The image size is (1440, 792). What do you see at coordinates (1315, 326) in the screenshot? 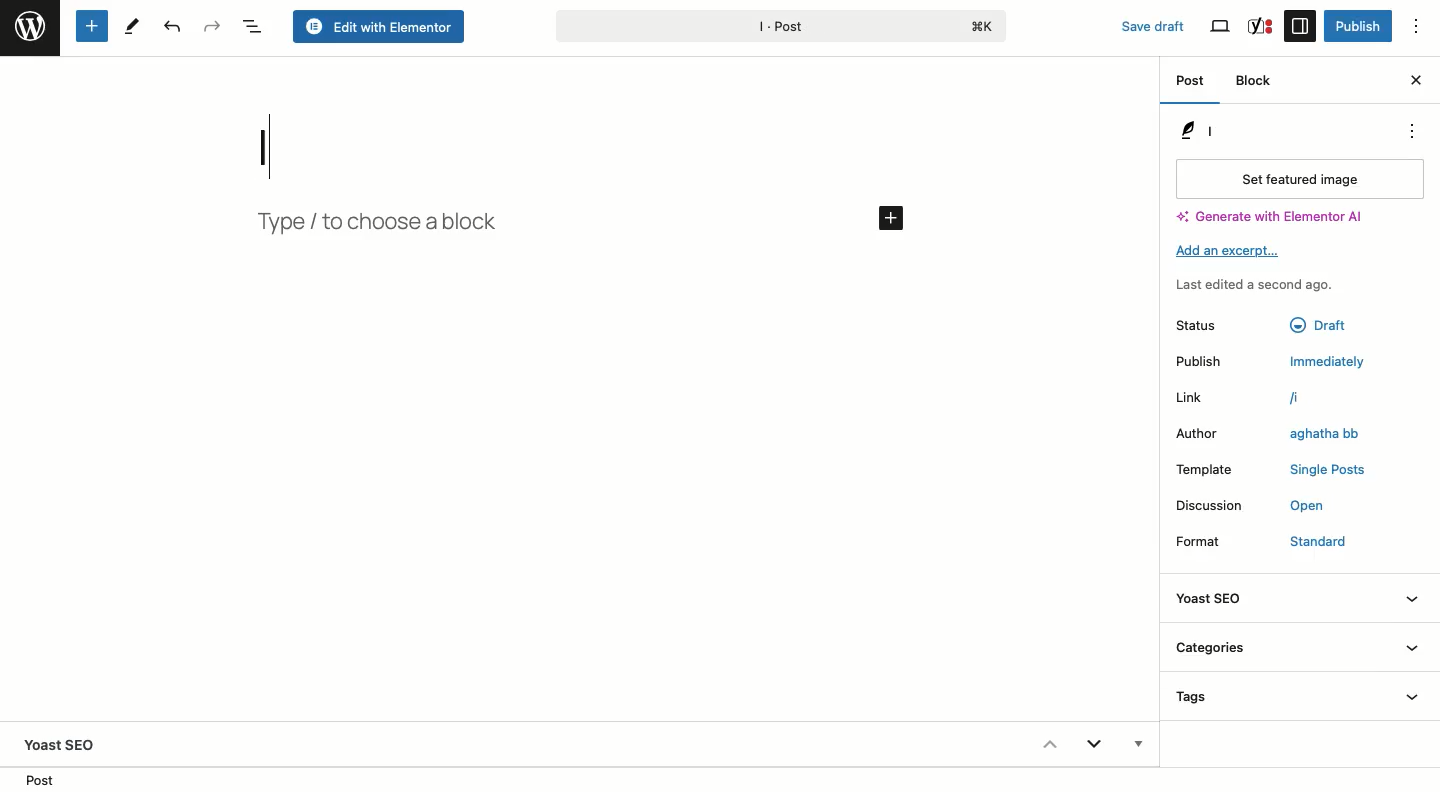
I see `Draft` at bounding box center [1315, 326].